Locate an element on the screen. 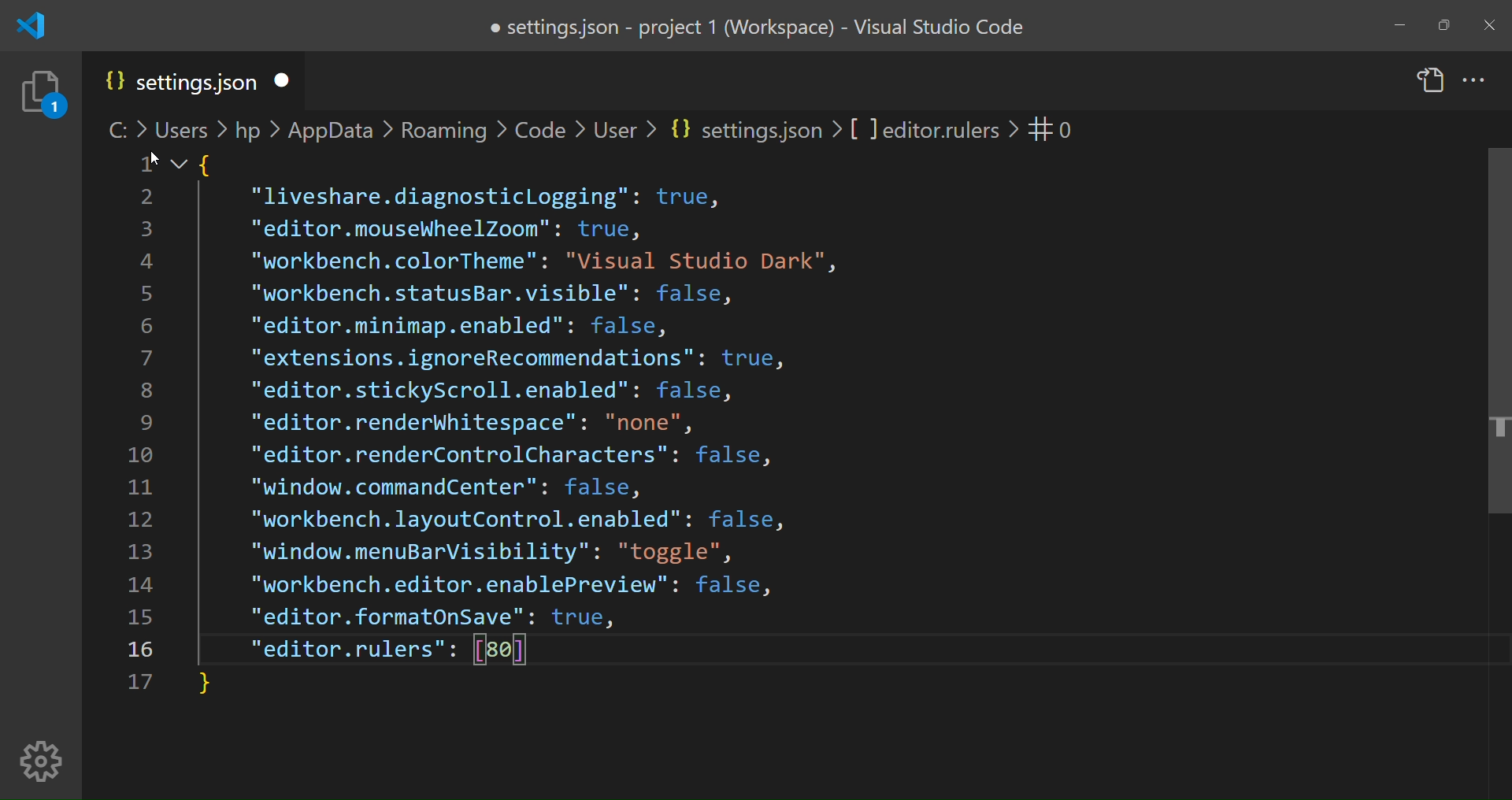 The width and height of the screenshot is (1512, 800). open setting is located at coordinates (1430, 82).